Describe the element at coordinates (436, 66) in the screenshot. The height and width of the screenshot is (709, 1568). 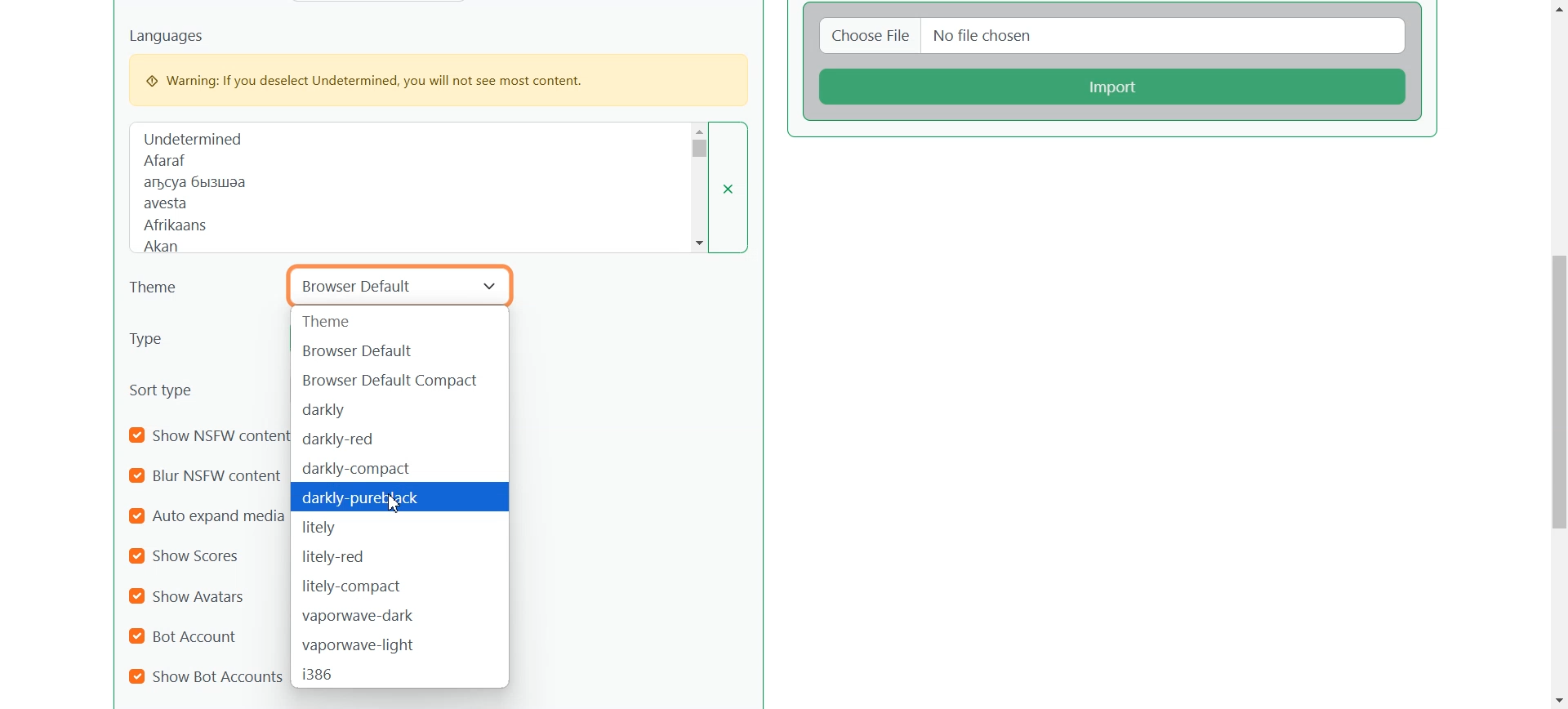
I see `Languages Warning: If you deselect undetermined, you will not see most content.` at that location.